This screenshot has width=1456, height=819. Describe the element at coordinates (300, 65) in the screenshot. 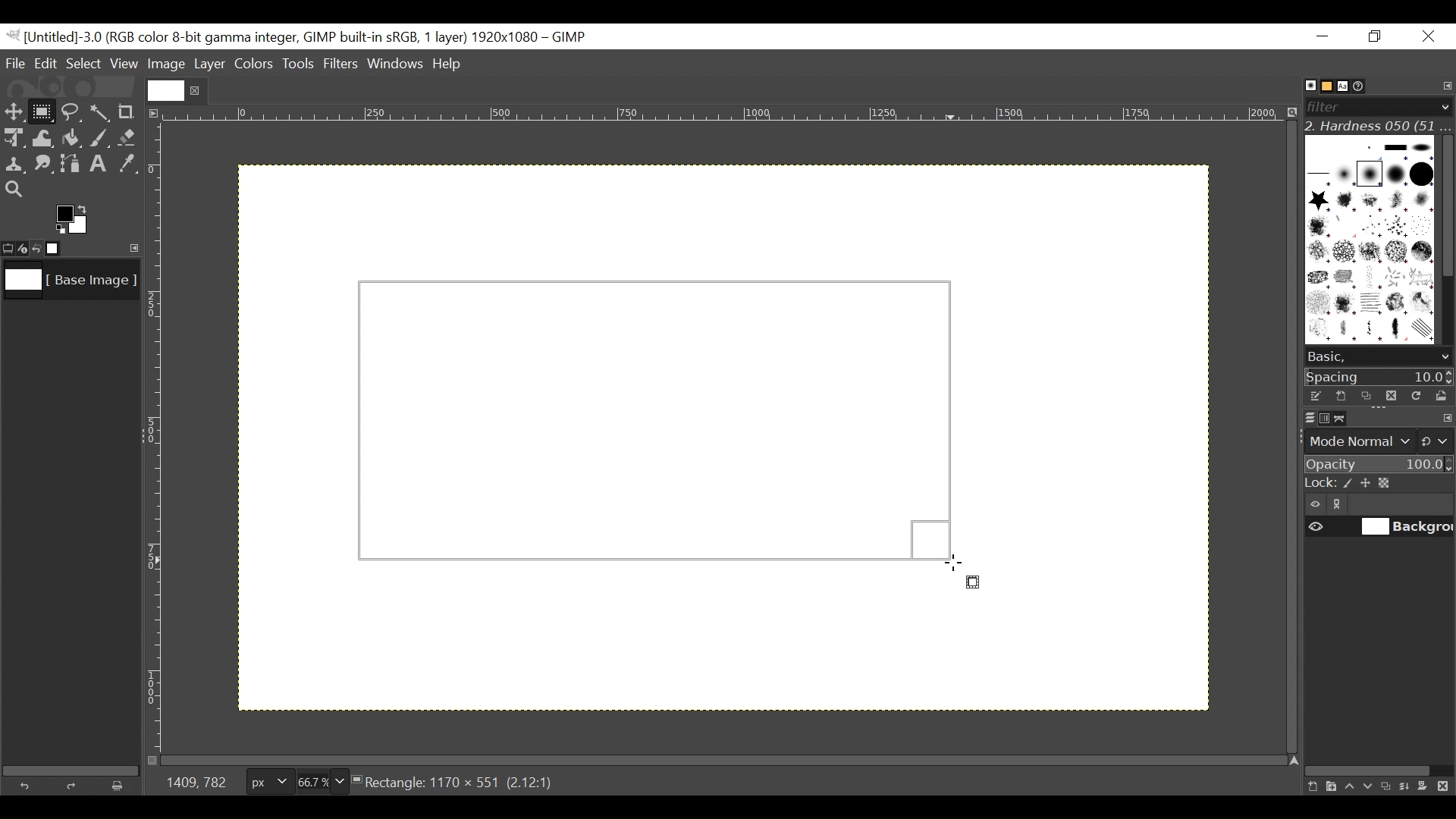

I see `Tools` at that location.